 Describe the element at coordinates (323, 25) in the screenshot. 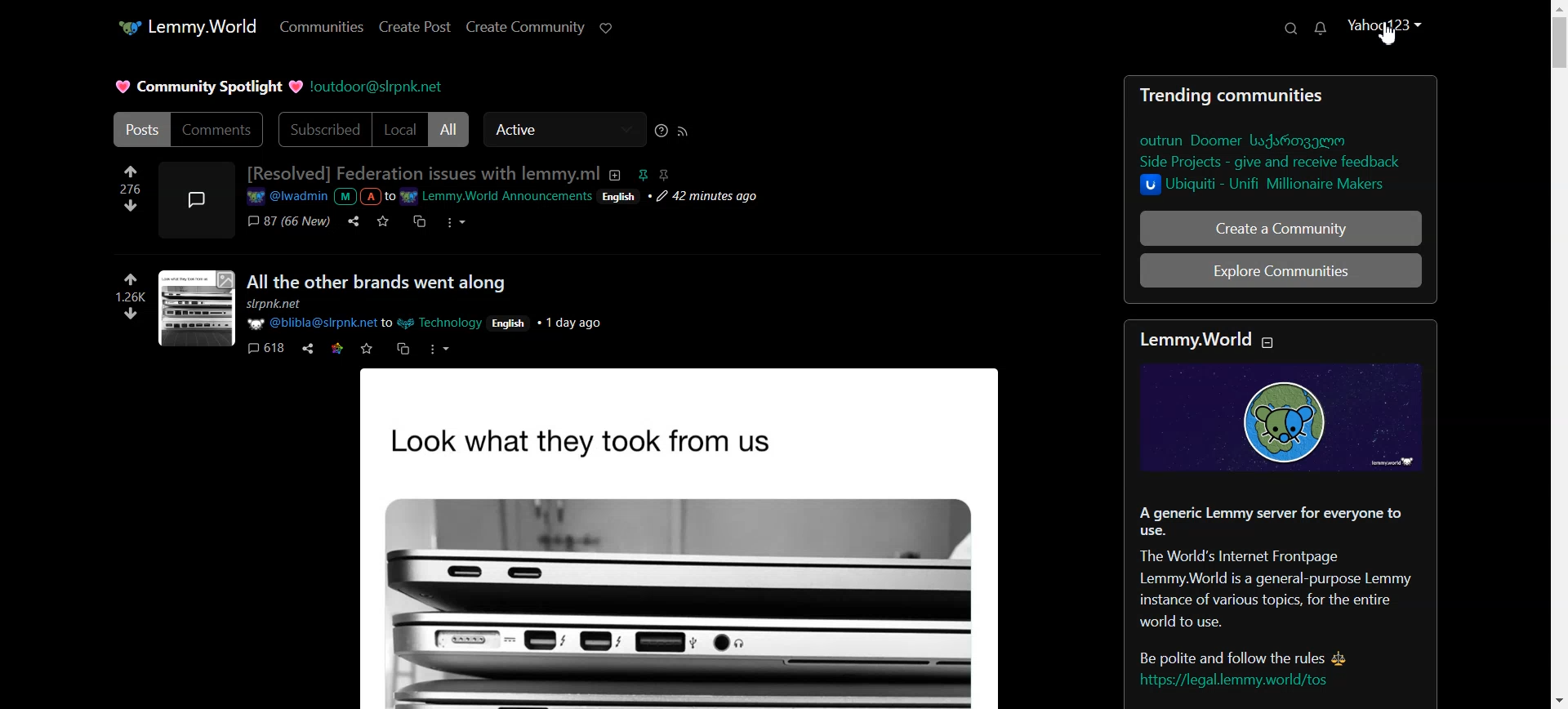

I see `Communities` at that location.